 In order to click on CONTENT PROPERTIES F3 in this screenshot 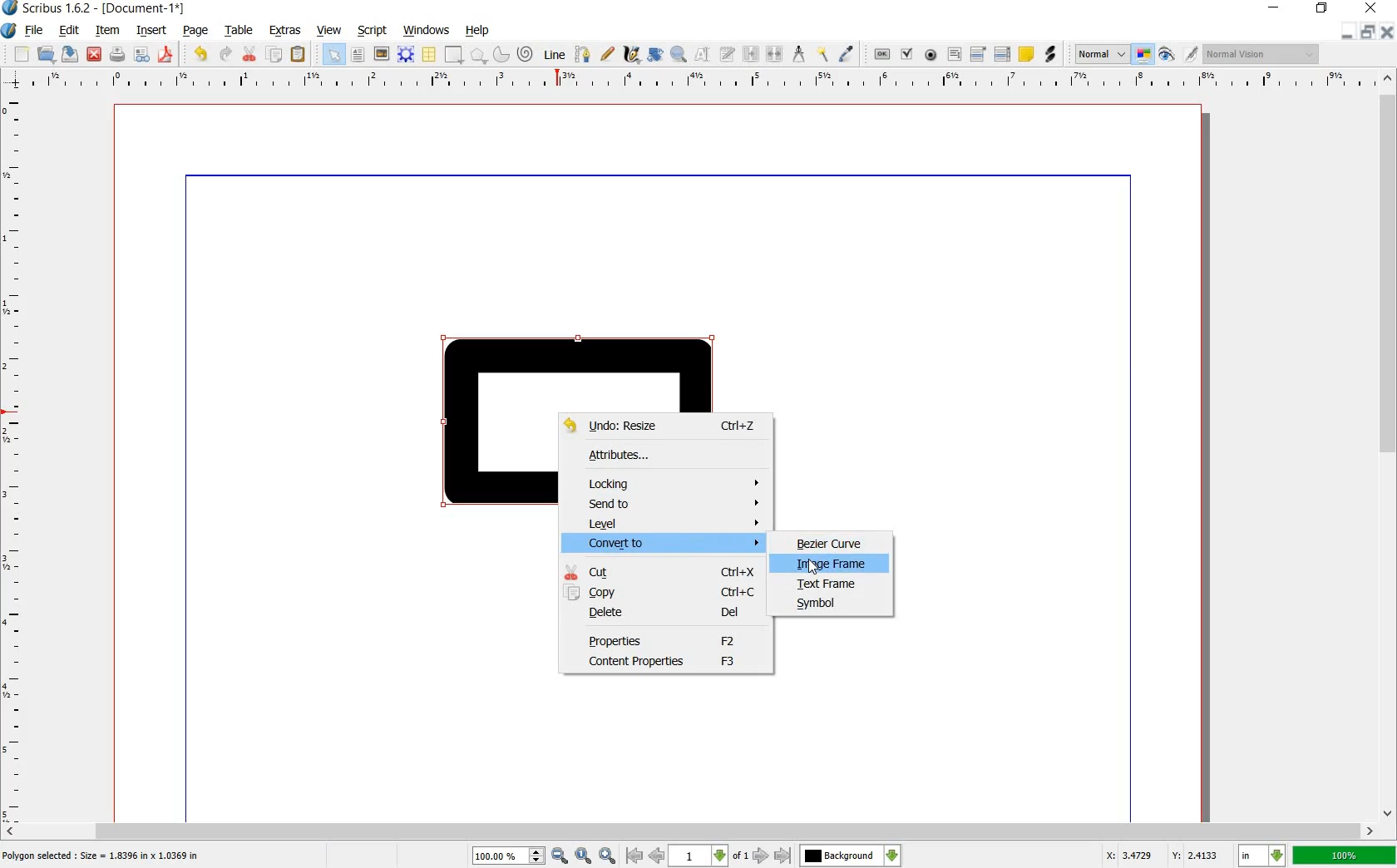, I will do `click(664, 662)`.